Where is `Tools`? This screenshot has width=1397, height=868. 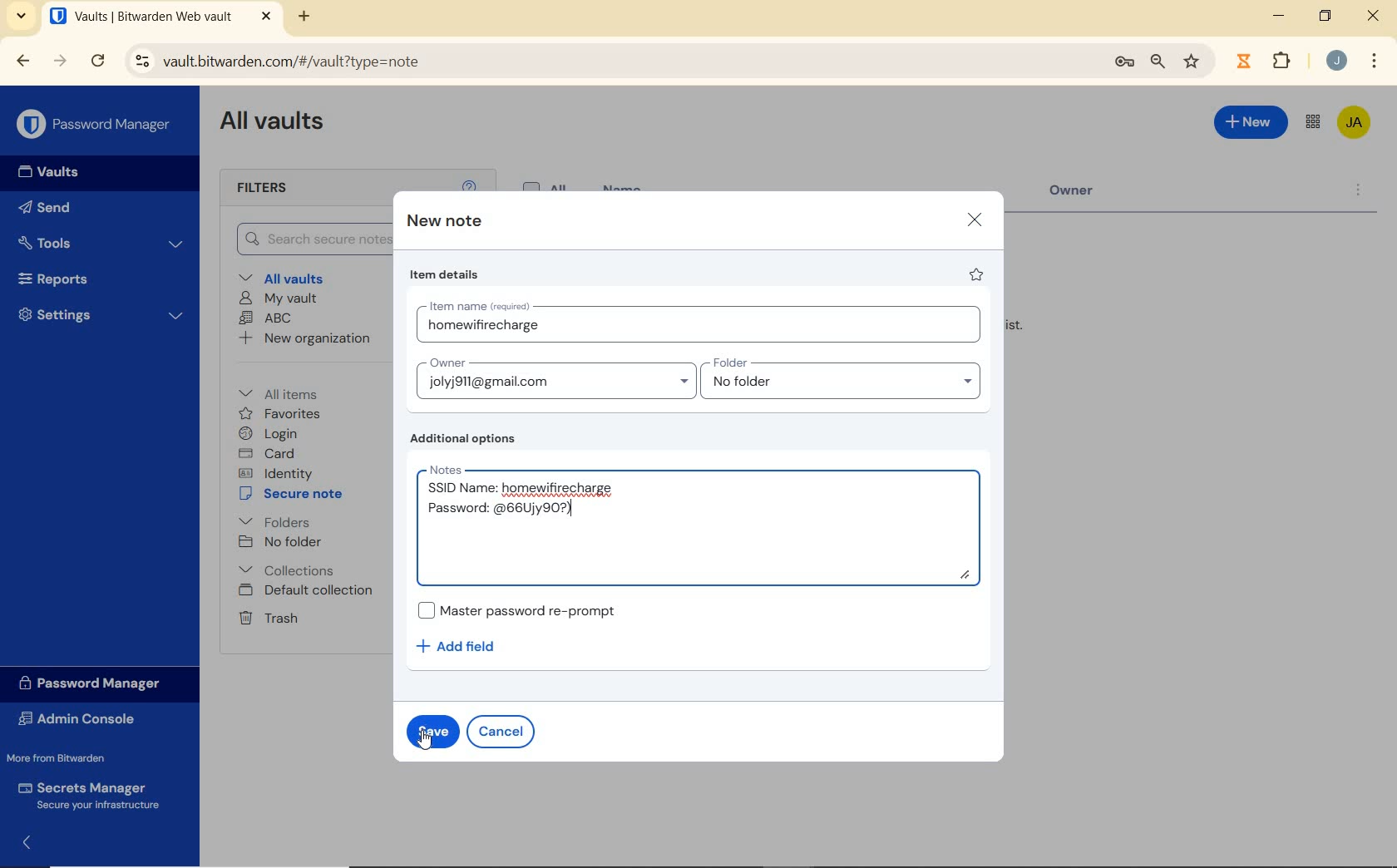
Tools is located at coordinates (102, 242).